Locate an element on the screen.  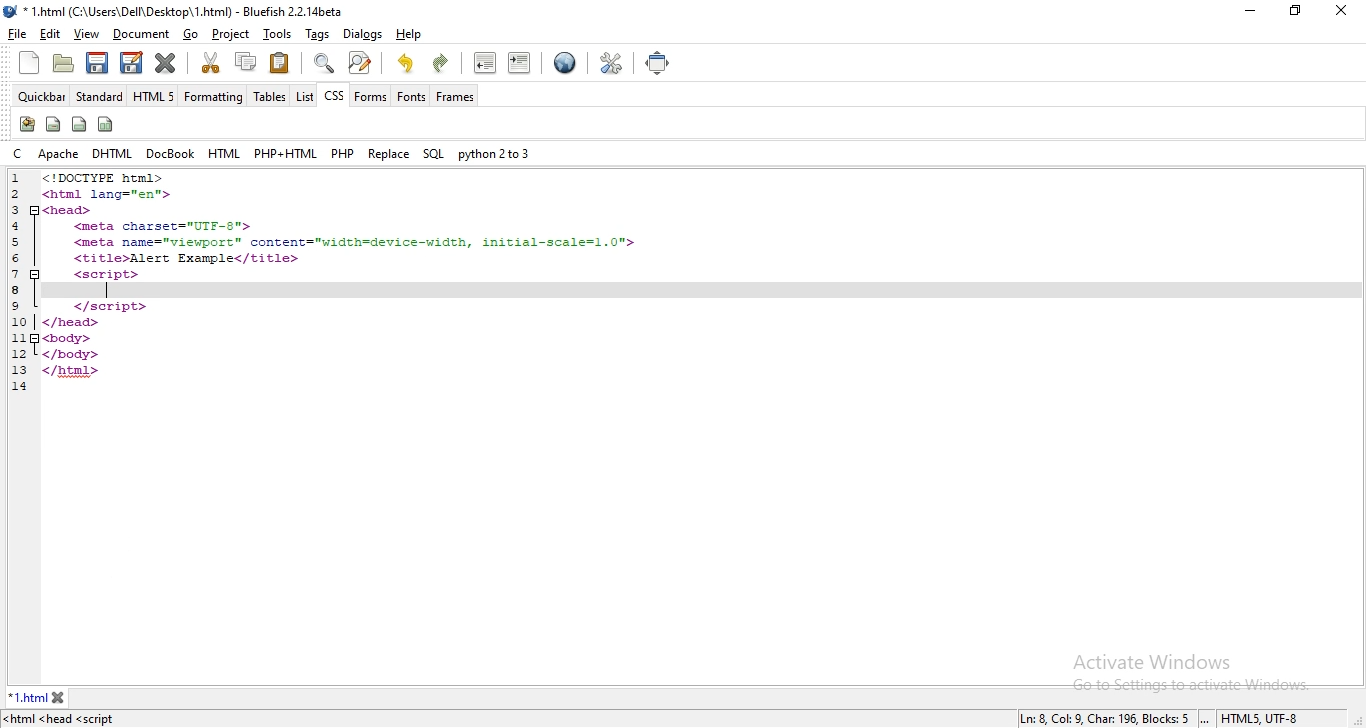
icon is located at coordinates (80, 124).